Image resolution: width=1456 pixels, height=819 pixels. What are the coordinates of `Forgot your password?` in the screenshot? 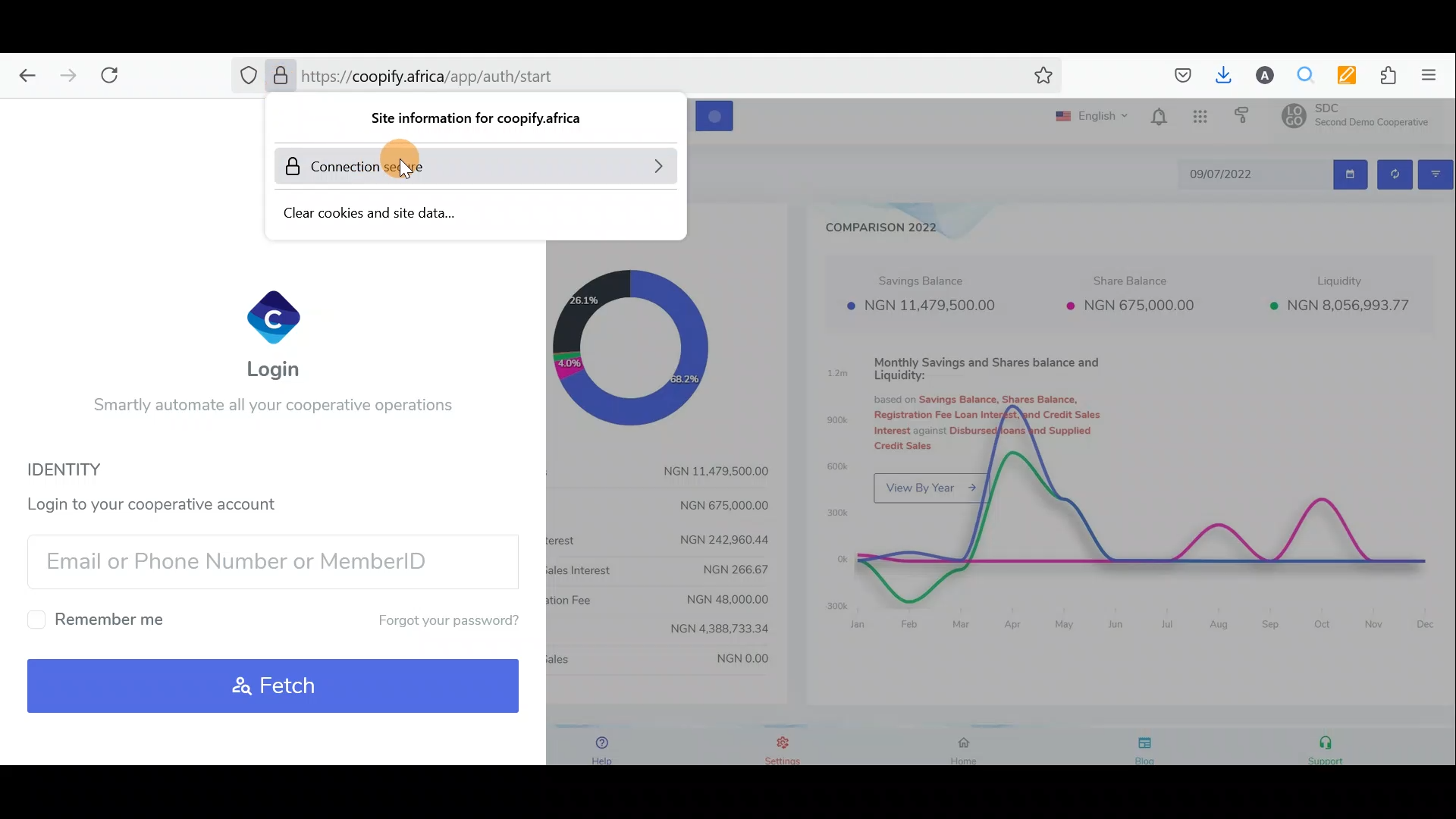 It's located at (435, 621).